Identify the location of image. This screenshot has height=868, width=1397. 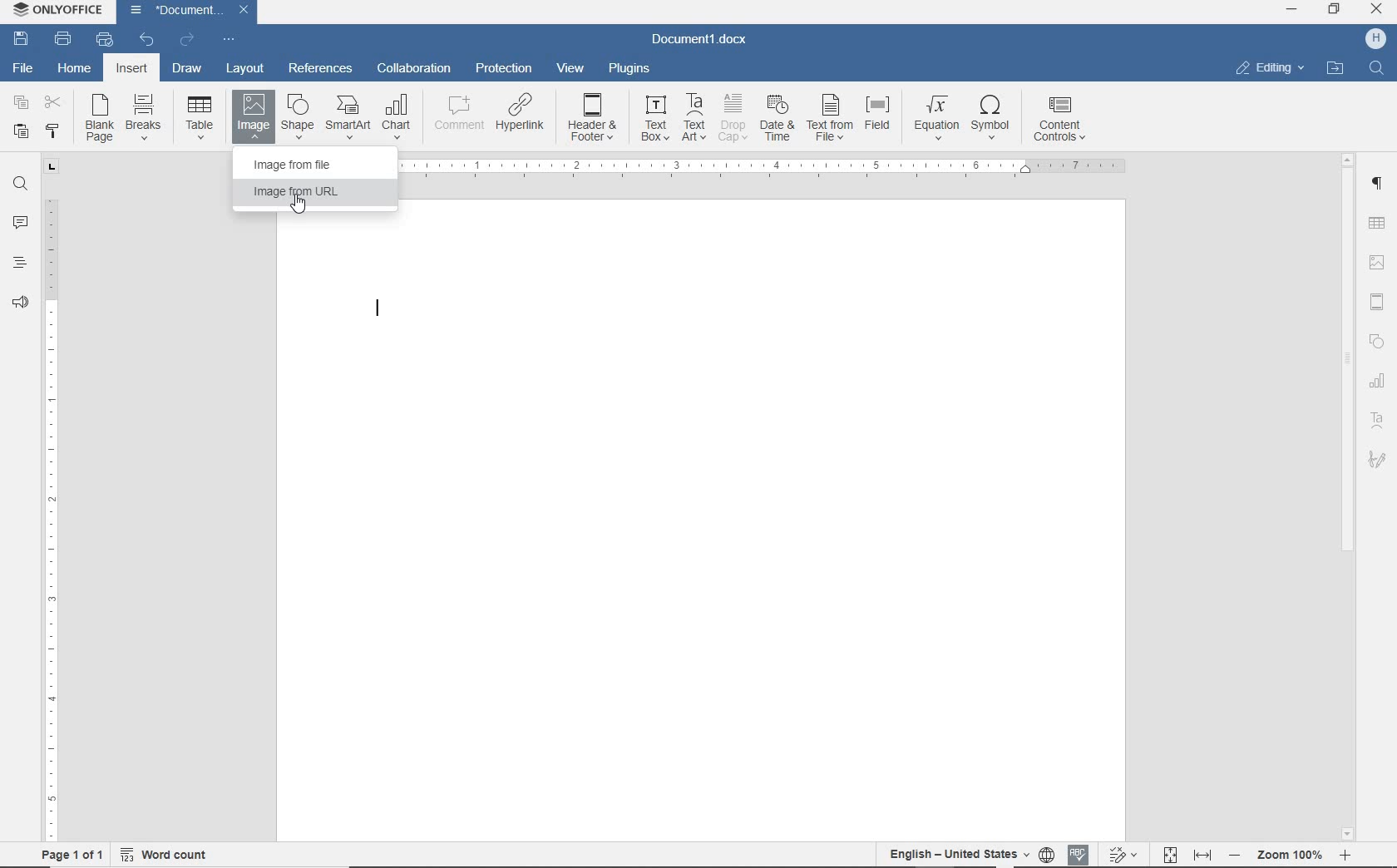
(1379, 262).